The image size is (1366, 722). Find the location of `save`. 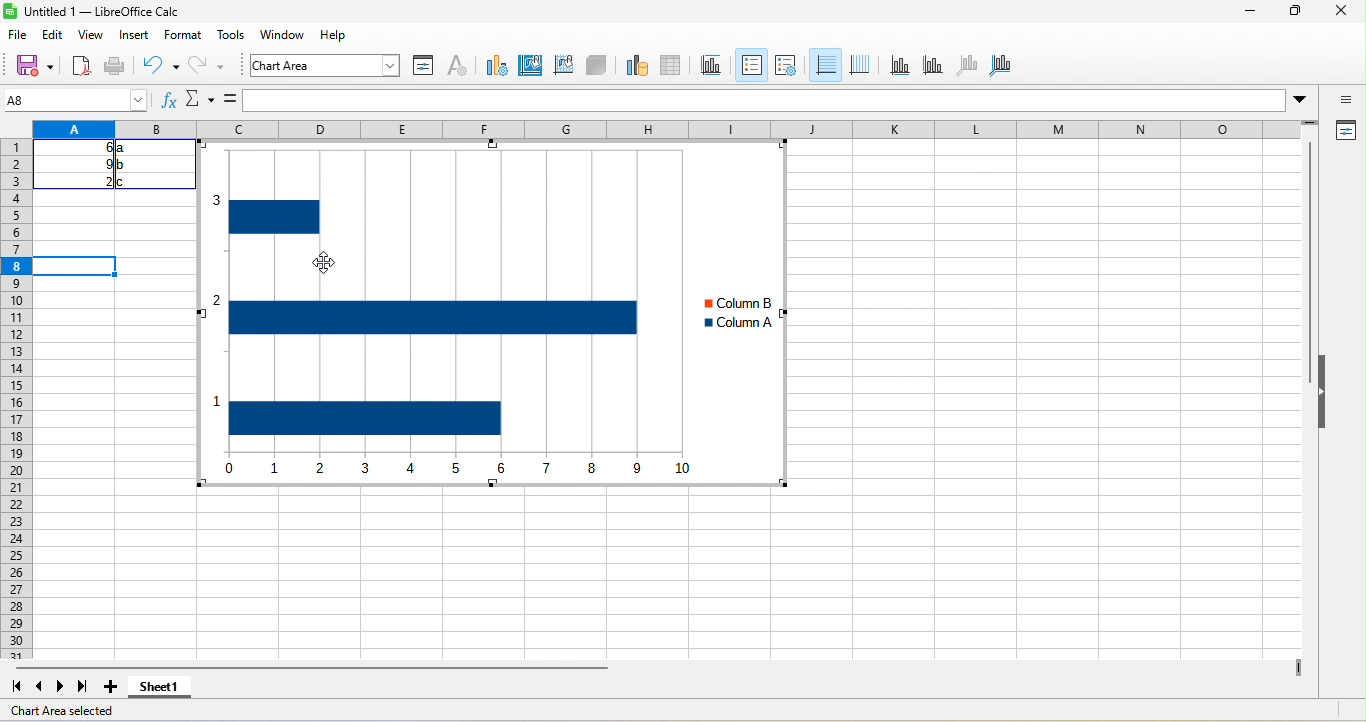

save is located at coordinates (116, 64).